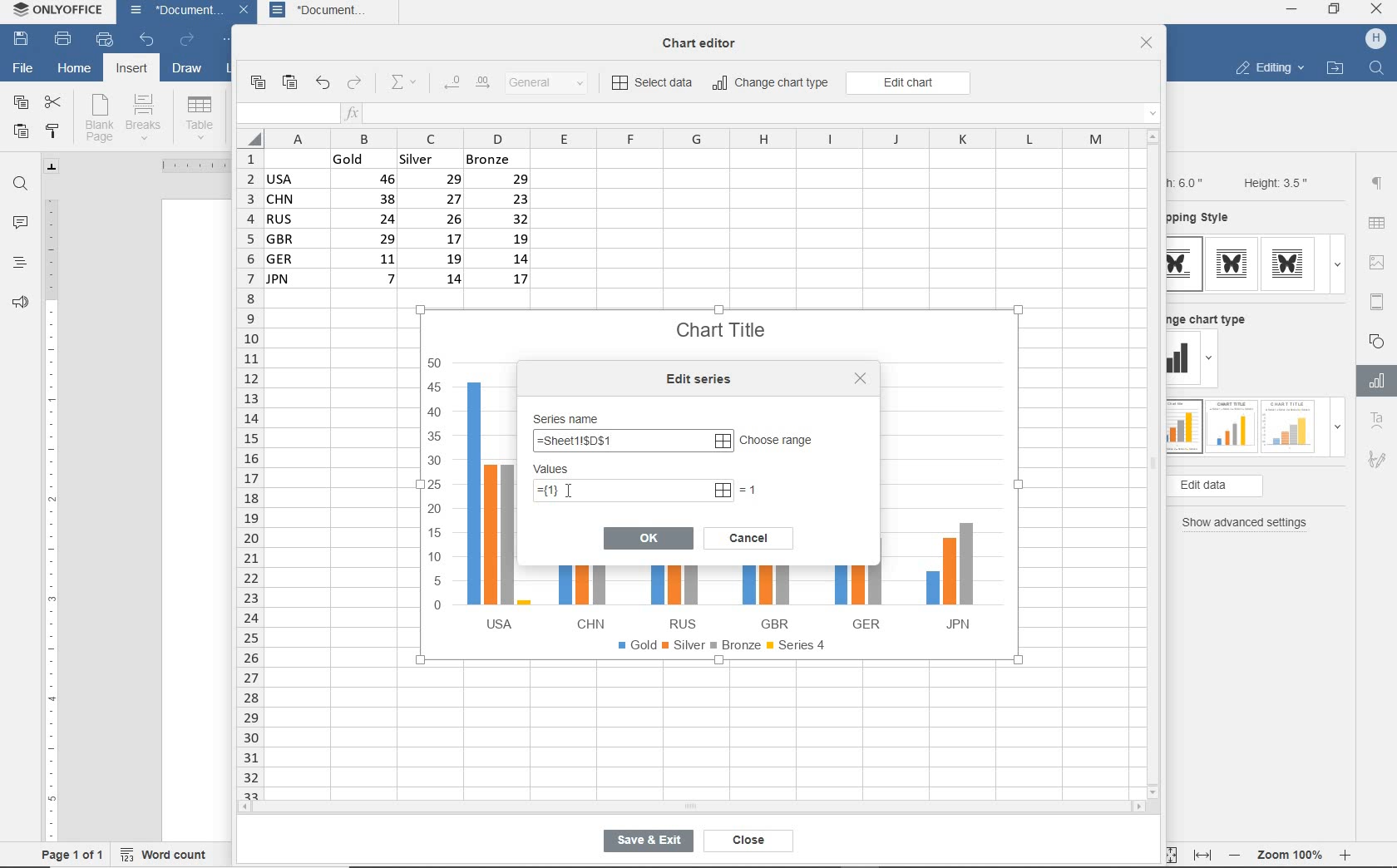  What do you see at coordinates (1205, 219) in the screenshot?
I see `wrapping style` at bounding box center [1205, 219].